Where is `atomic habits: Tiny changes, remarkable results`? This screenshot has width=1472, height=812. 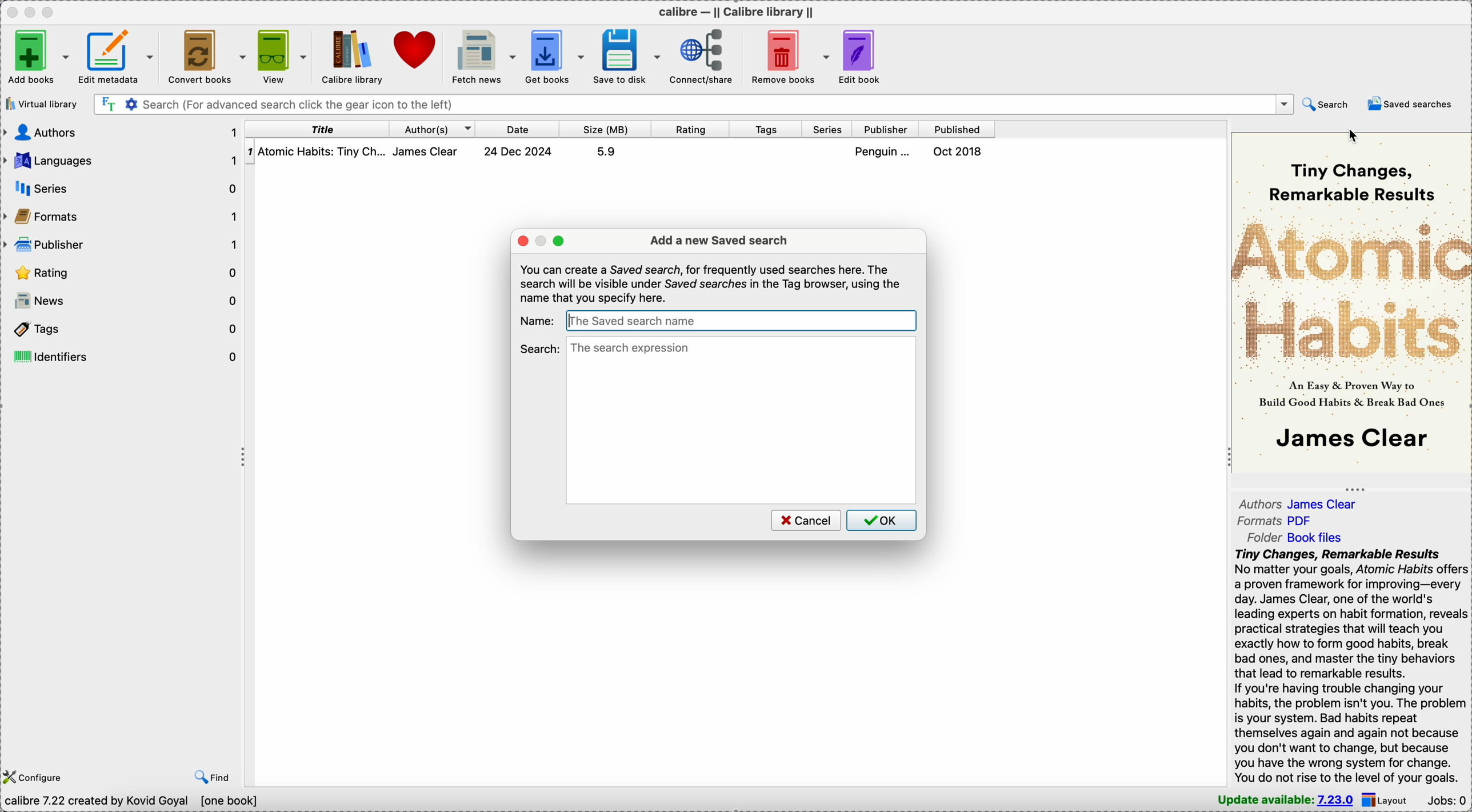 atomic habits: Tiny changes, remarkable results is located at coordinates (323, 152).